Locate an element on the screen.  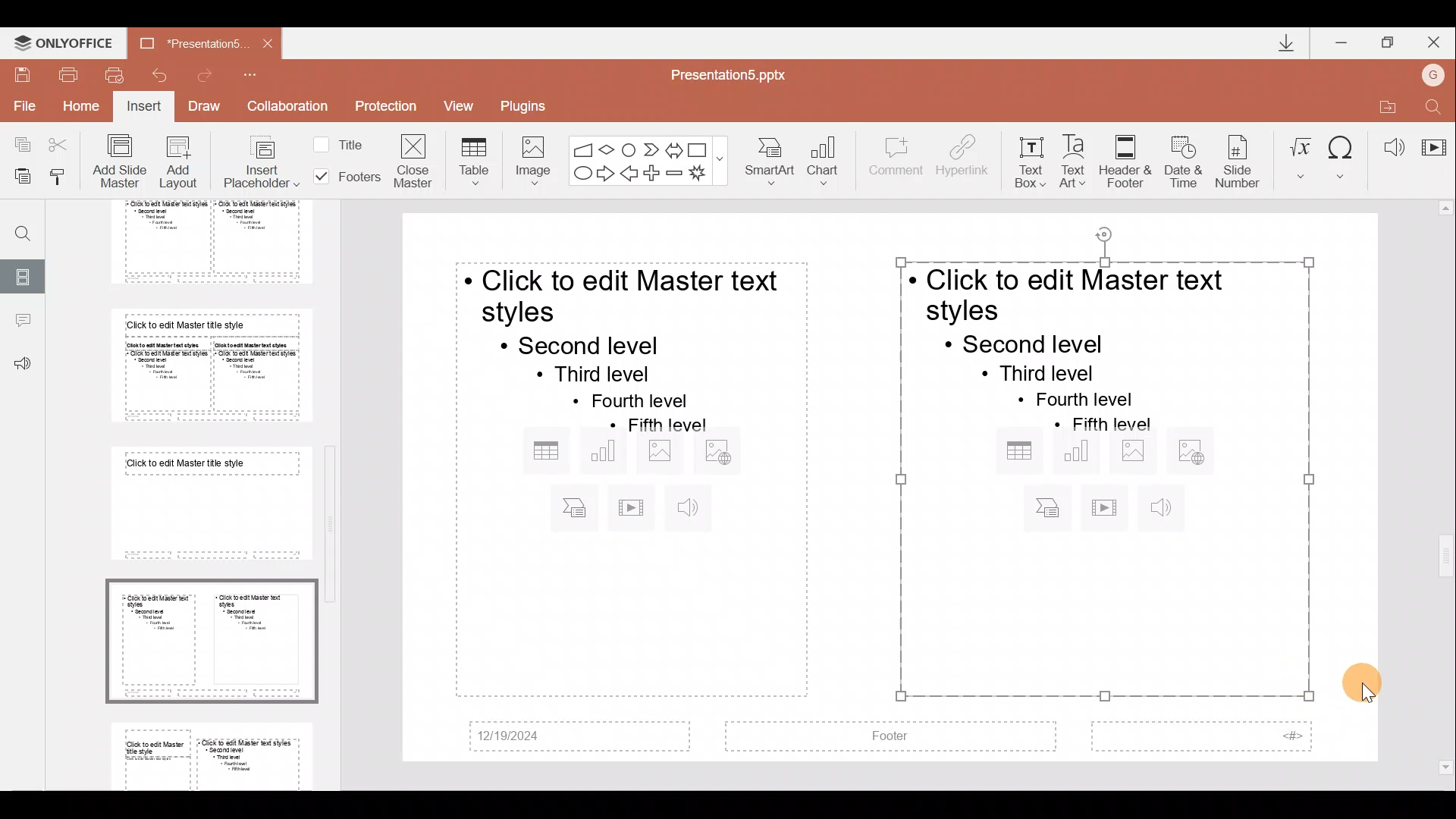
Text box is located at coordinates (1030, 158).